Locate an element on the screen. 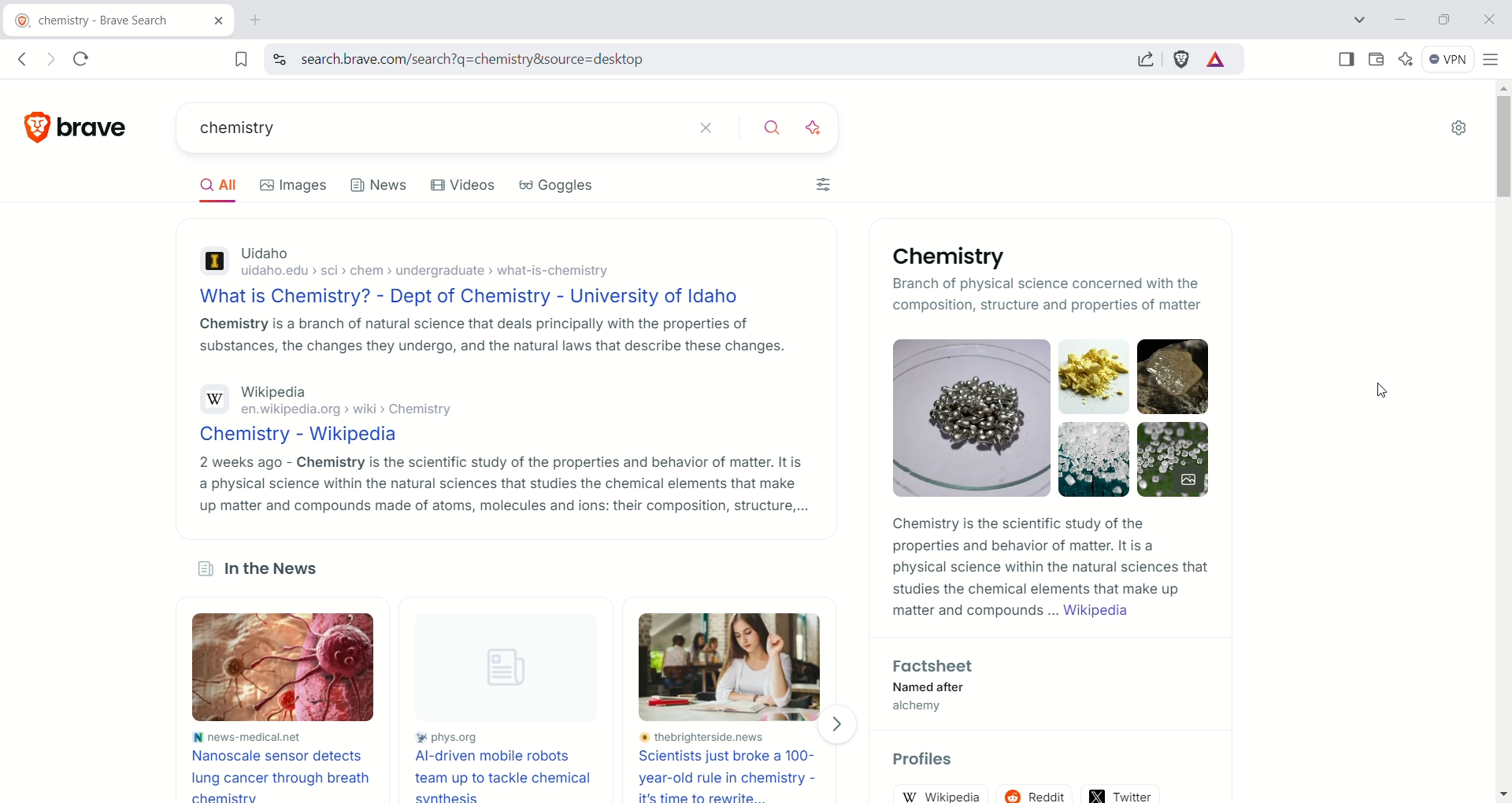 The width and height of the screenshot is (1512, 803). wikipedia is located at coordinates (947, 794).